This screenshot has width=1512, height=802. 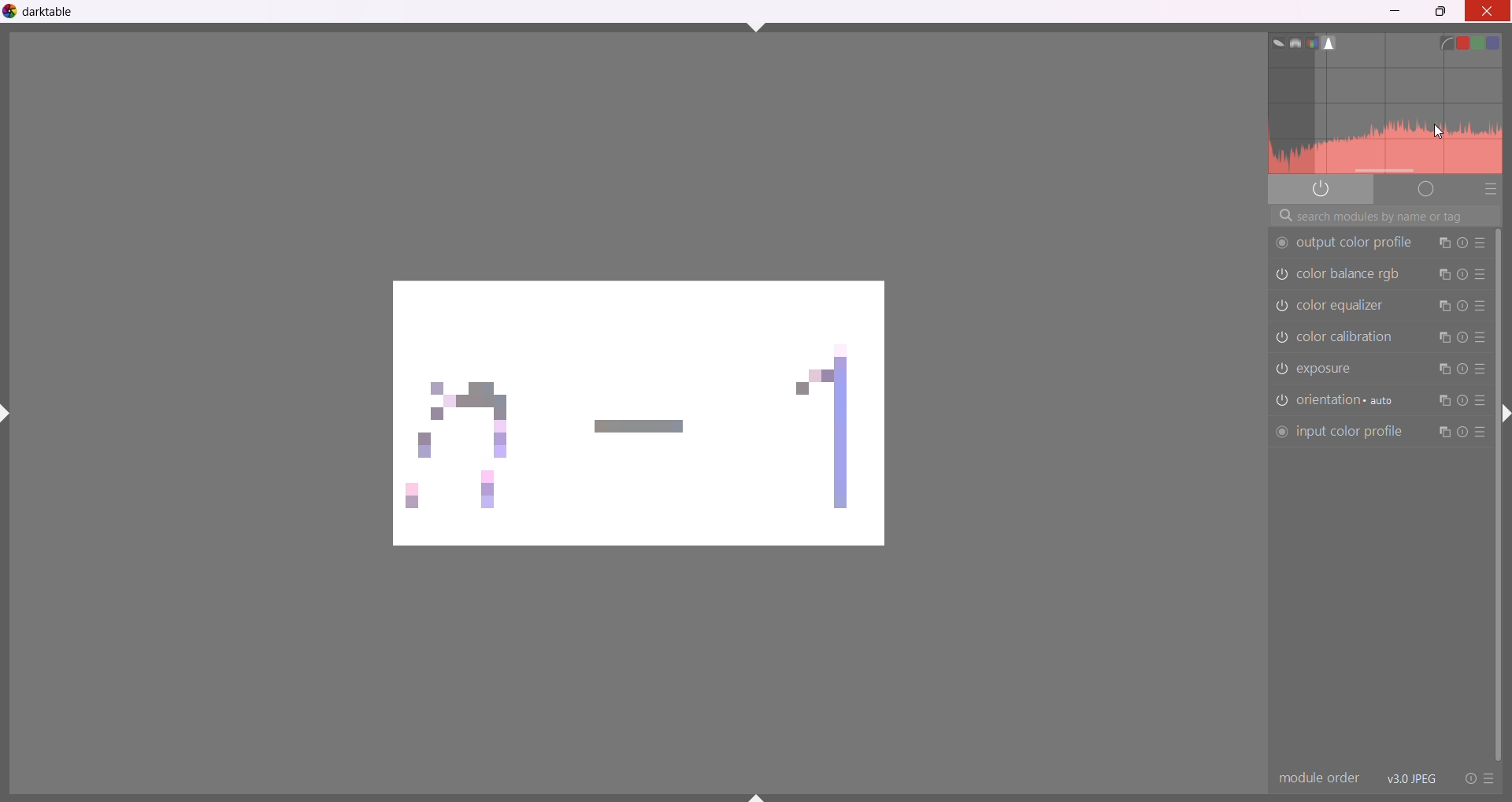 I want to click on color calibration, so click(x=1353, y=336).